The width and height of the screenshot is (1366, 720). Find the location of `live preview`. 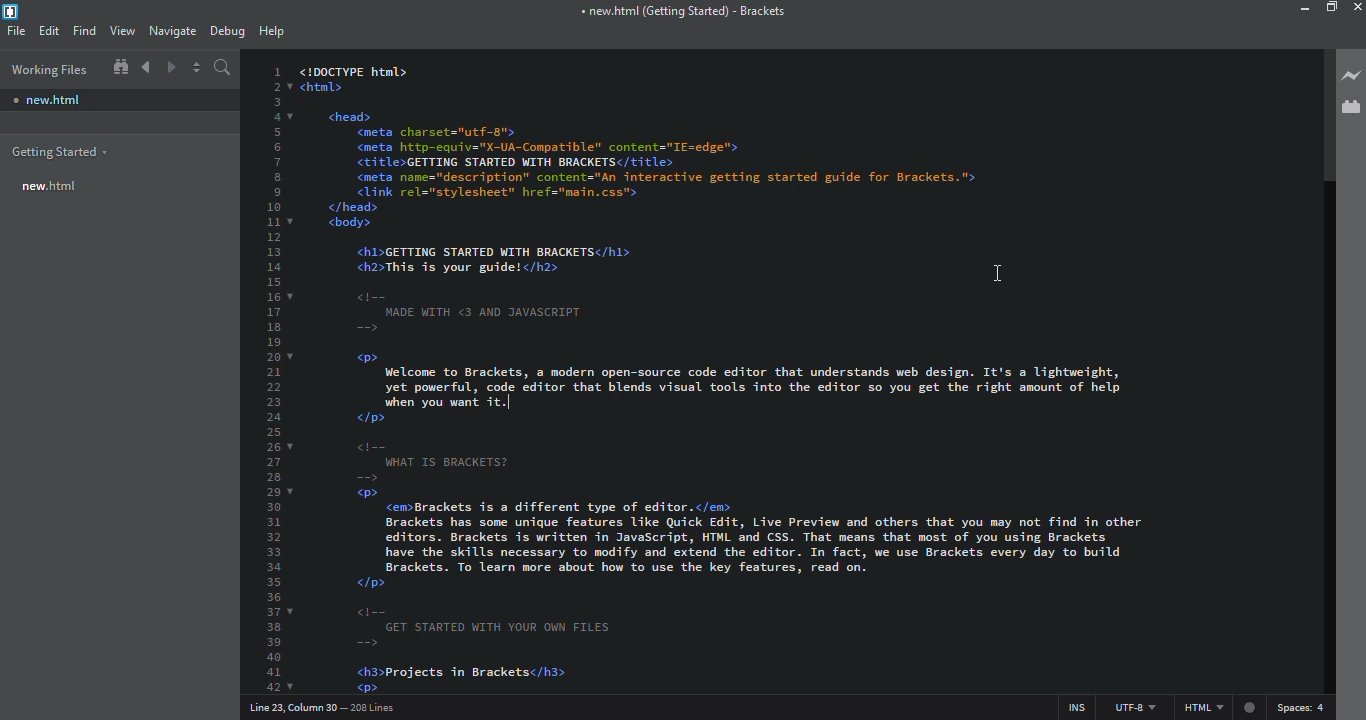

live preview is located at coordinates (1352, 76).